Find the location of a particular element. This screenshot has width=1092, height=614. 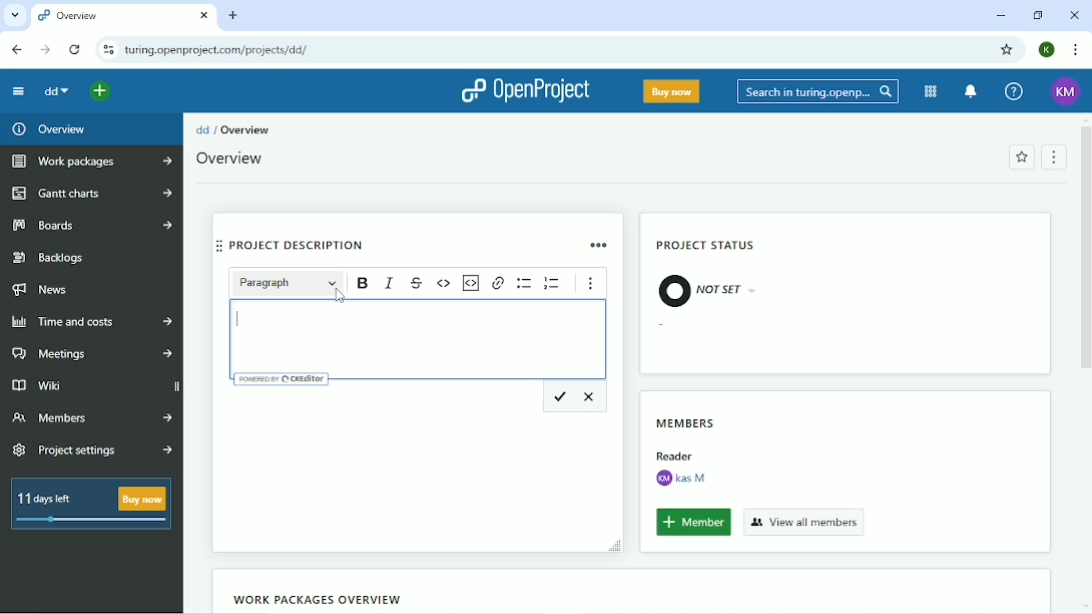

Account is located at coordinates (1066, 91).